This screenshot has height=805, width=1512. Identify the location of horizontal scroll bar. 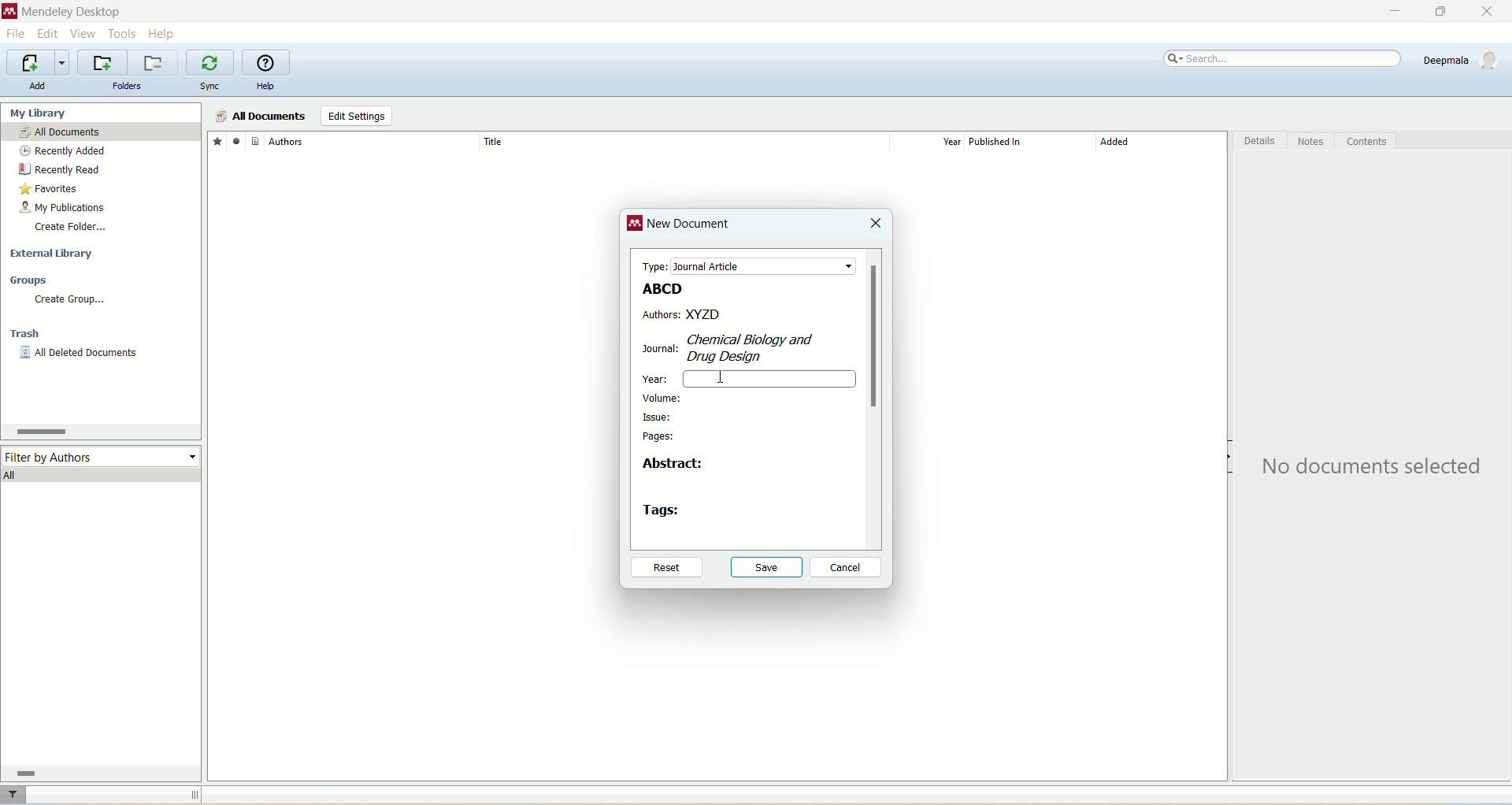
(98, 773).